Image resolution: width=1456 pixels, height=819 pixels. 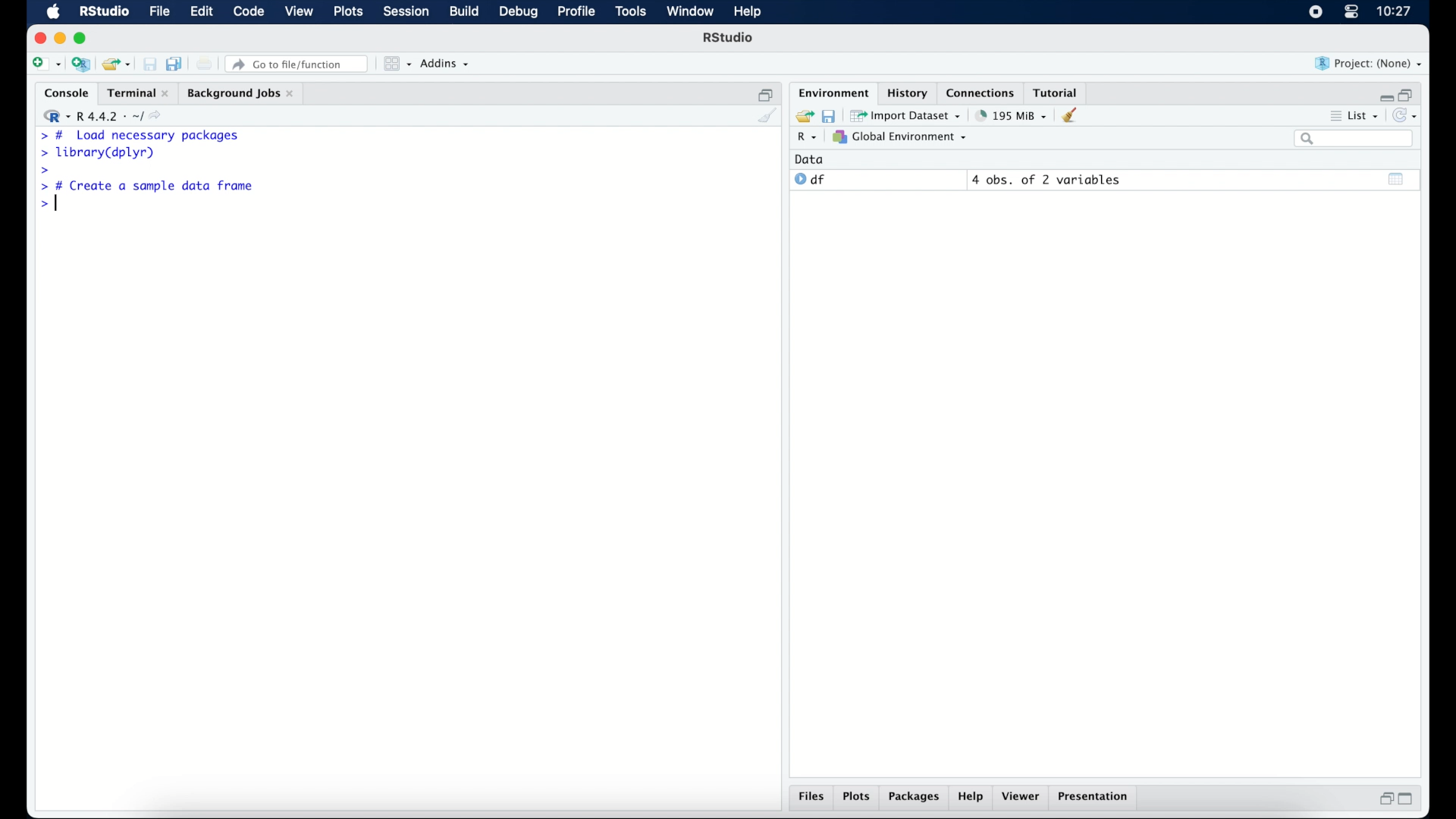 What do you see at coordinates (828, 115) in the screenshot?
I see `save` at bounding box center [828, 115].